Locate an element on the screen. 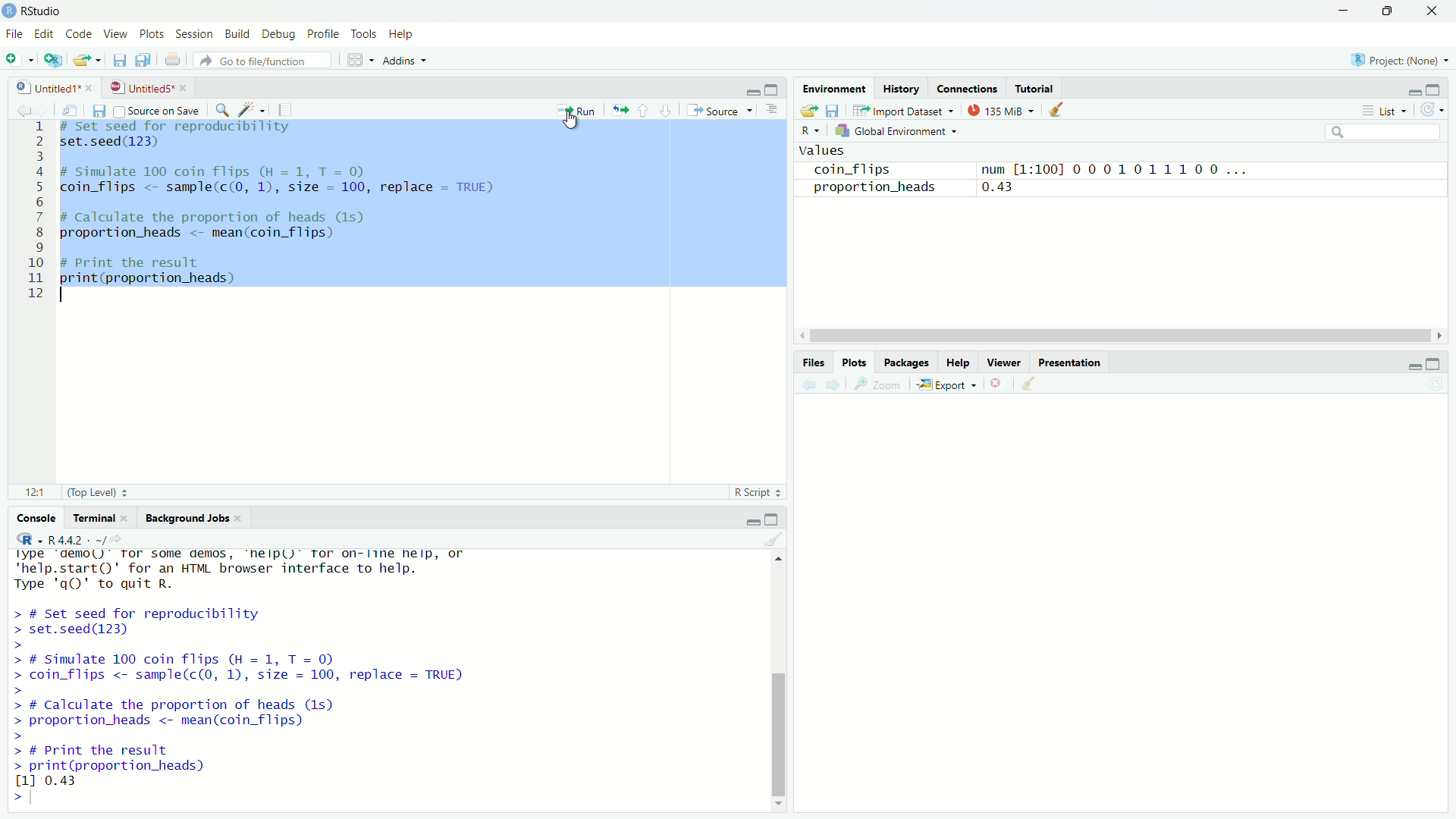  select language is located at coordinates (23, 541).